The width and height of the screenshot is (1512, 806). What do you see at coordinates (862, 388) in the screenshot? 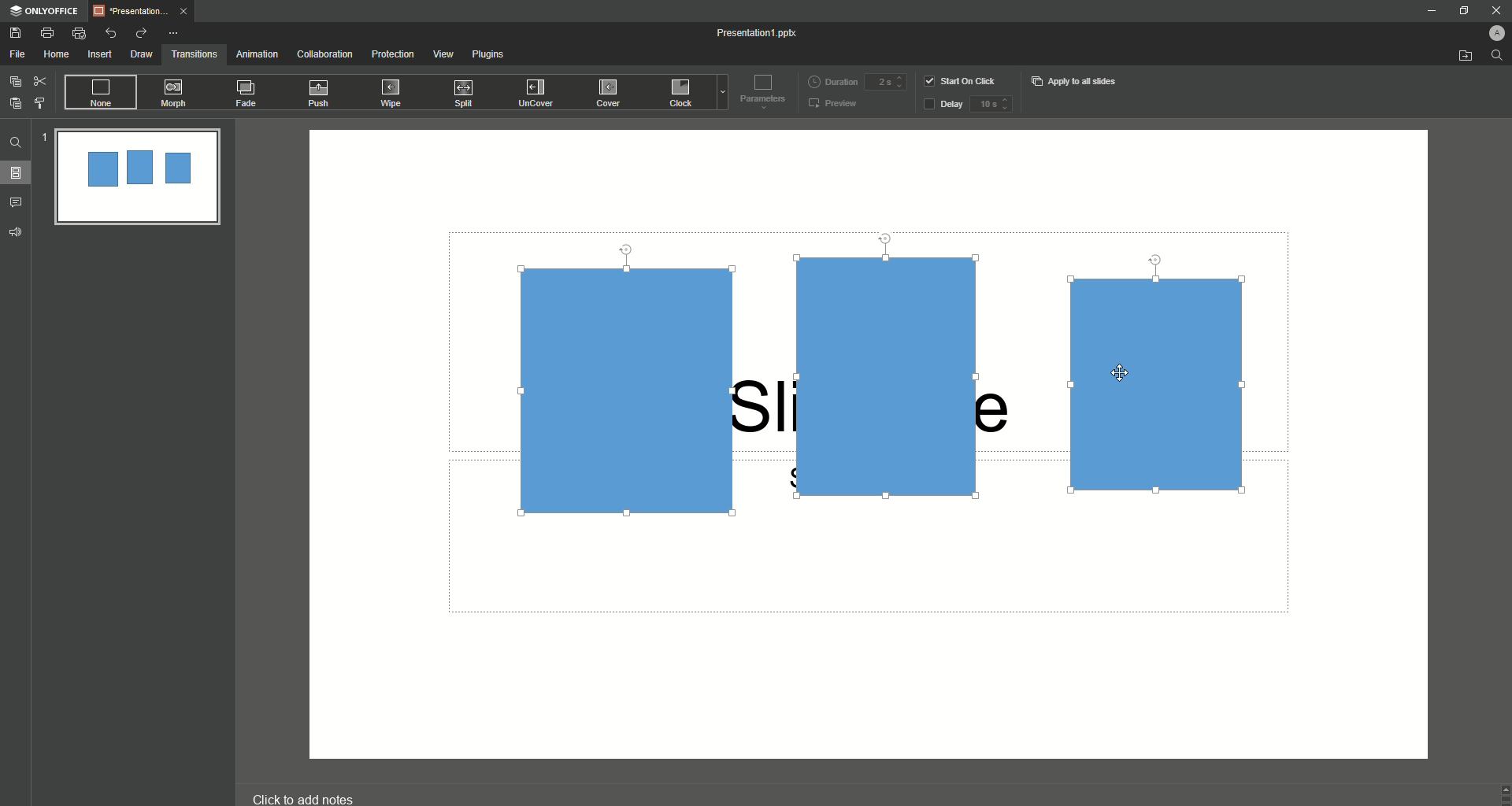
I see `Drag screen (selected 3 shapes)` at bounding box center [862, 388].